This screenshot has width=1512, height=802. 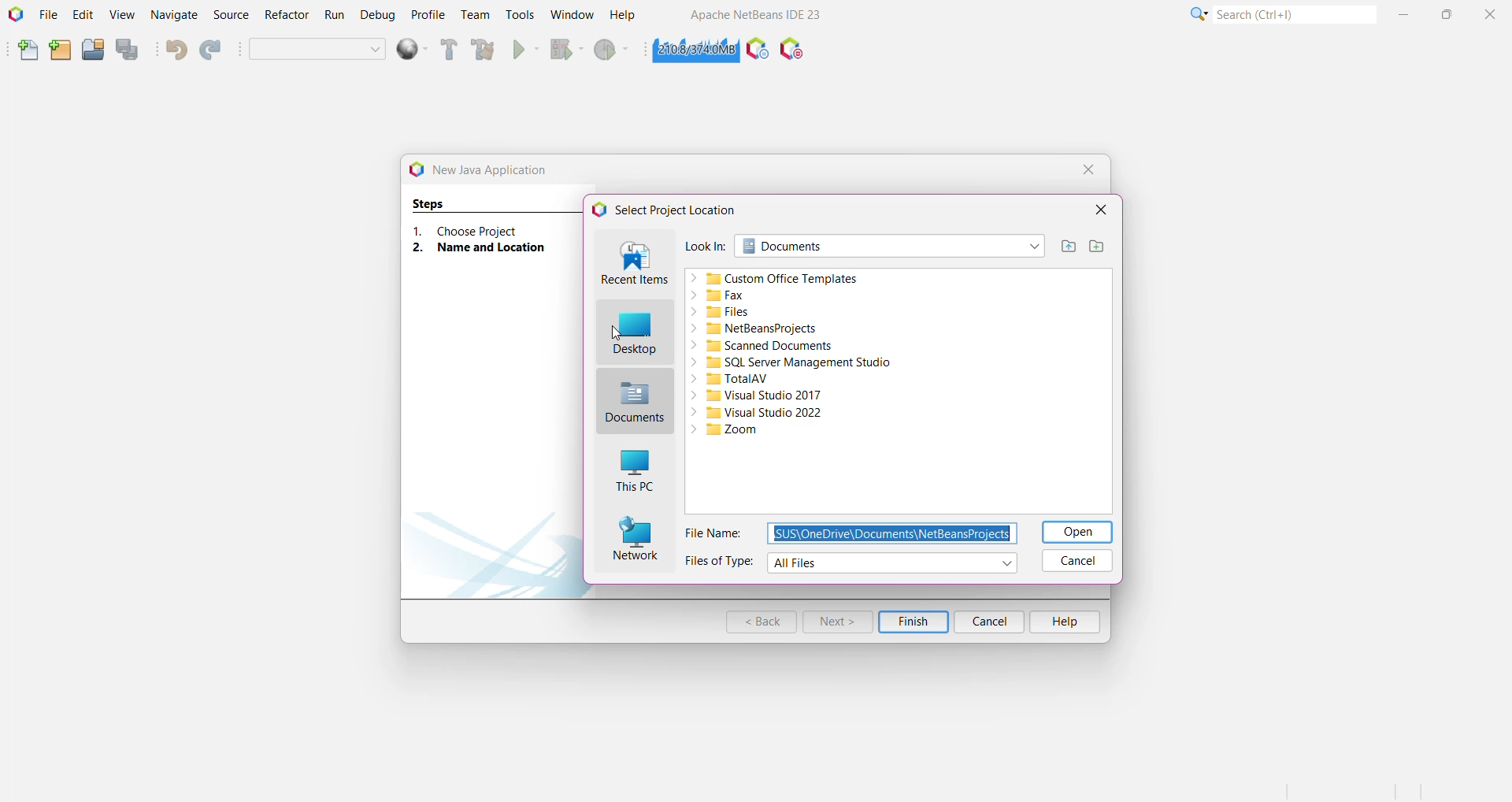 I want to click on Choose Project, so click(x=486, y=230).